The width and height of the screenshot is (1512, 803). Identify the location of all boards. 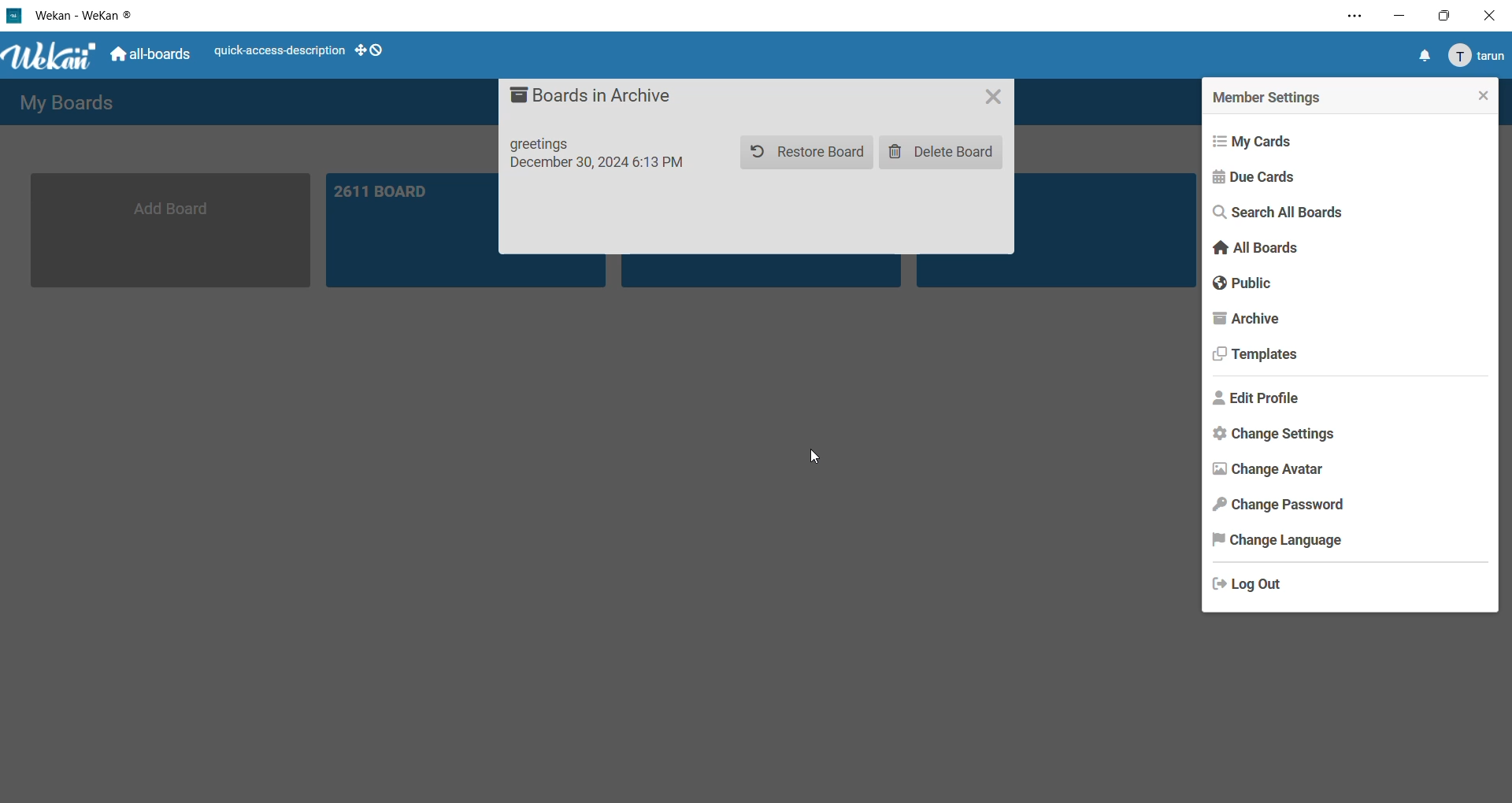
(150, 54).